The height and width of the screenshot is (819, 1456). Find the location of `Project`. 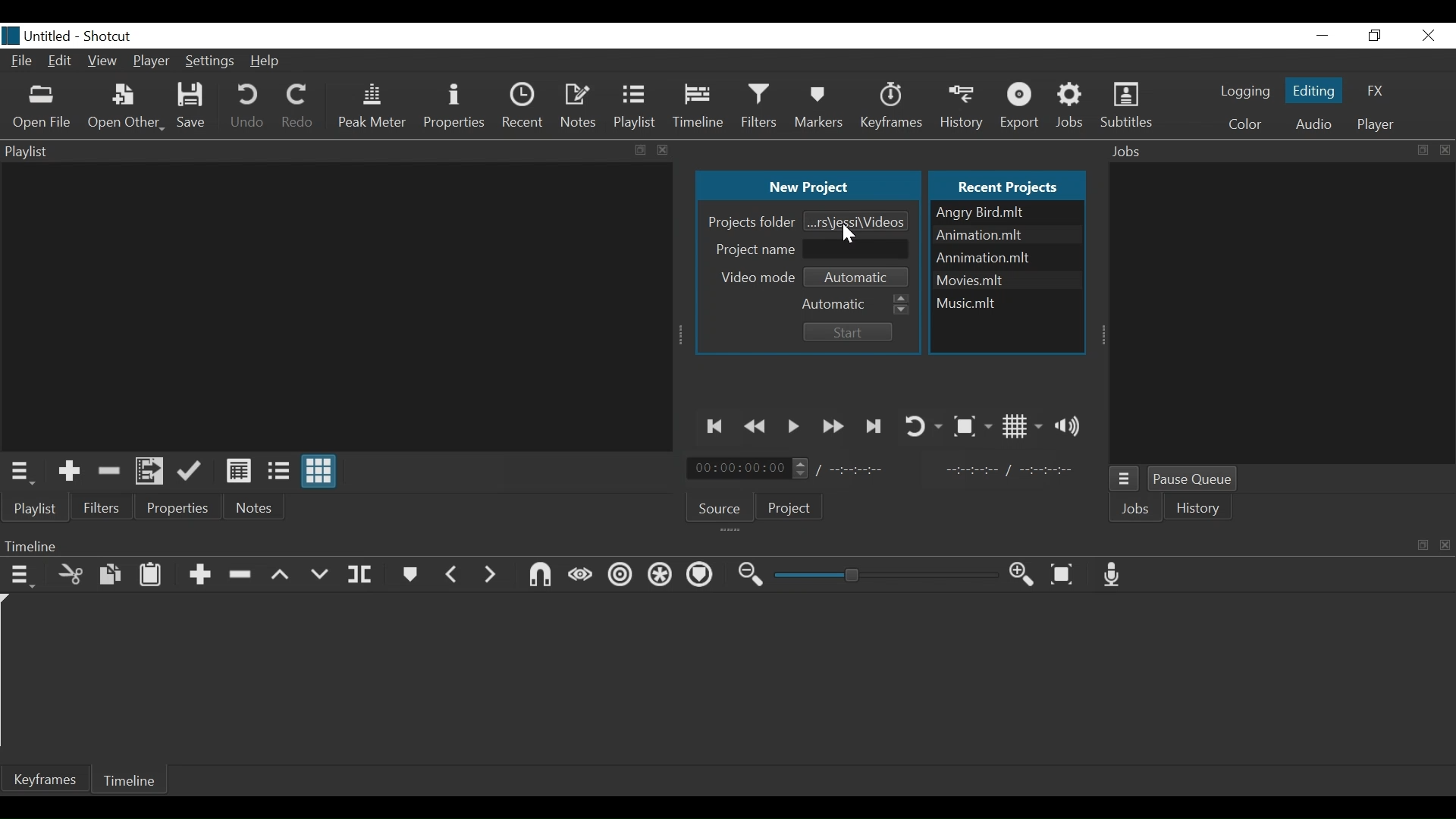

Project is located at coordinates (790, 510).